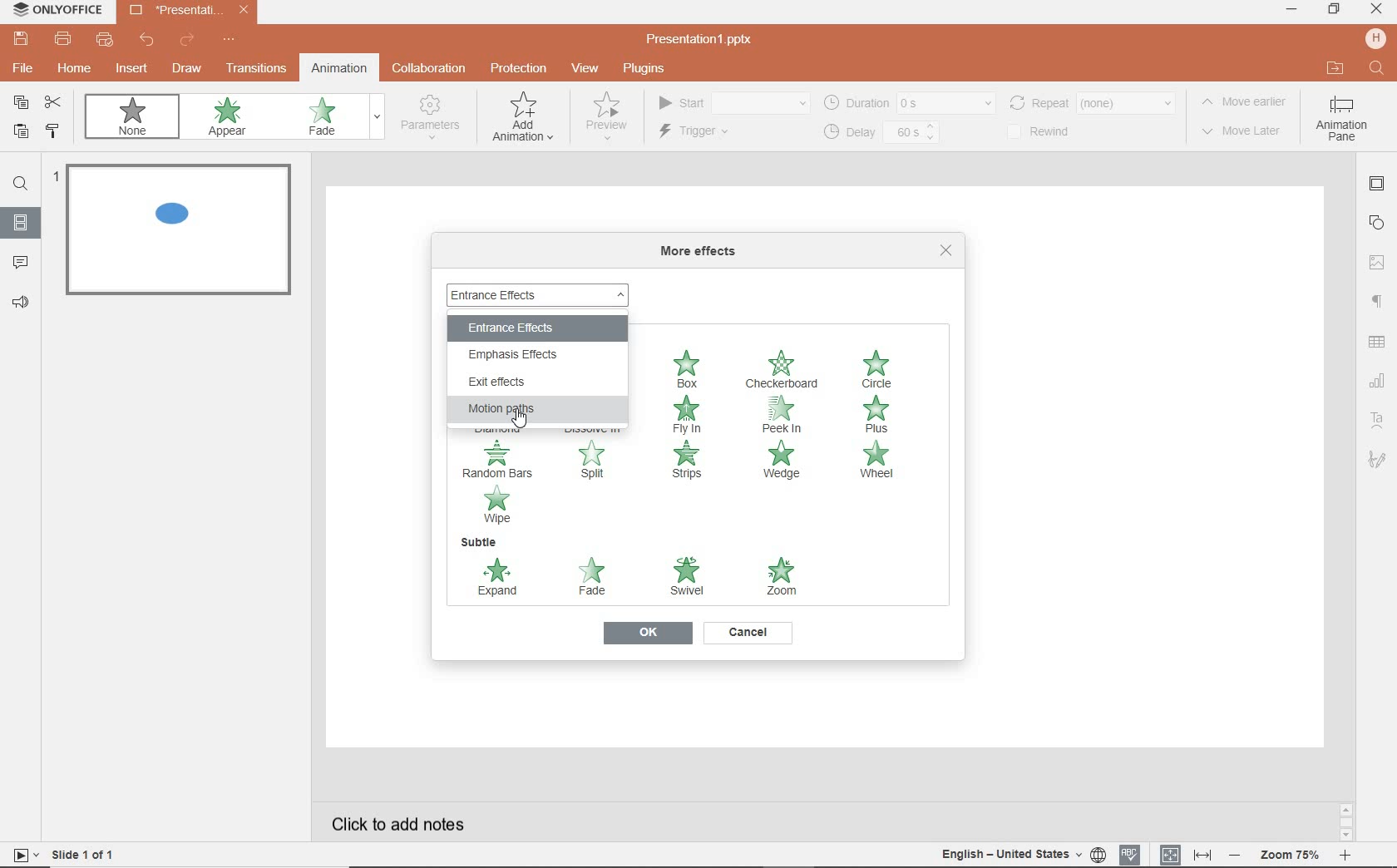 This screenshot has width=1397, height=868. What do you see at coordinates (434, 118) in the screenshot?
I see `parameters` at bounding box center [434, 118].